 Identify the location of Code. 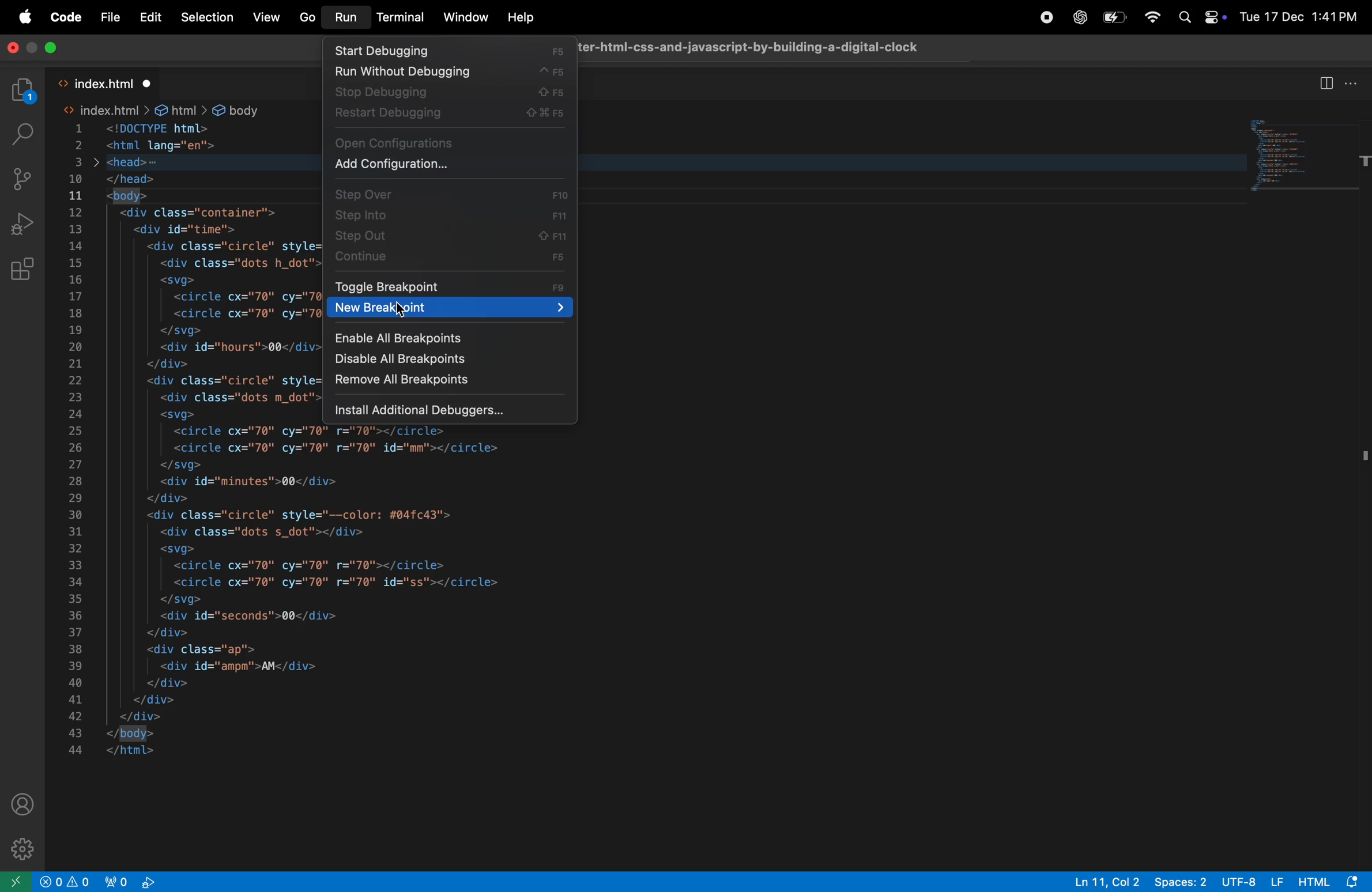
(68, 18).